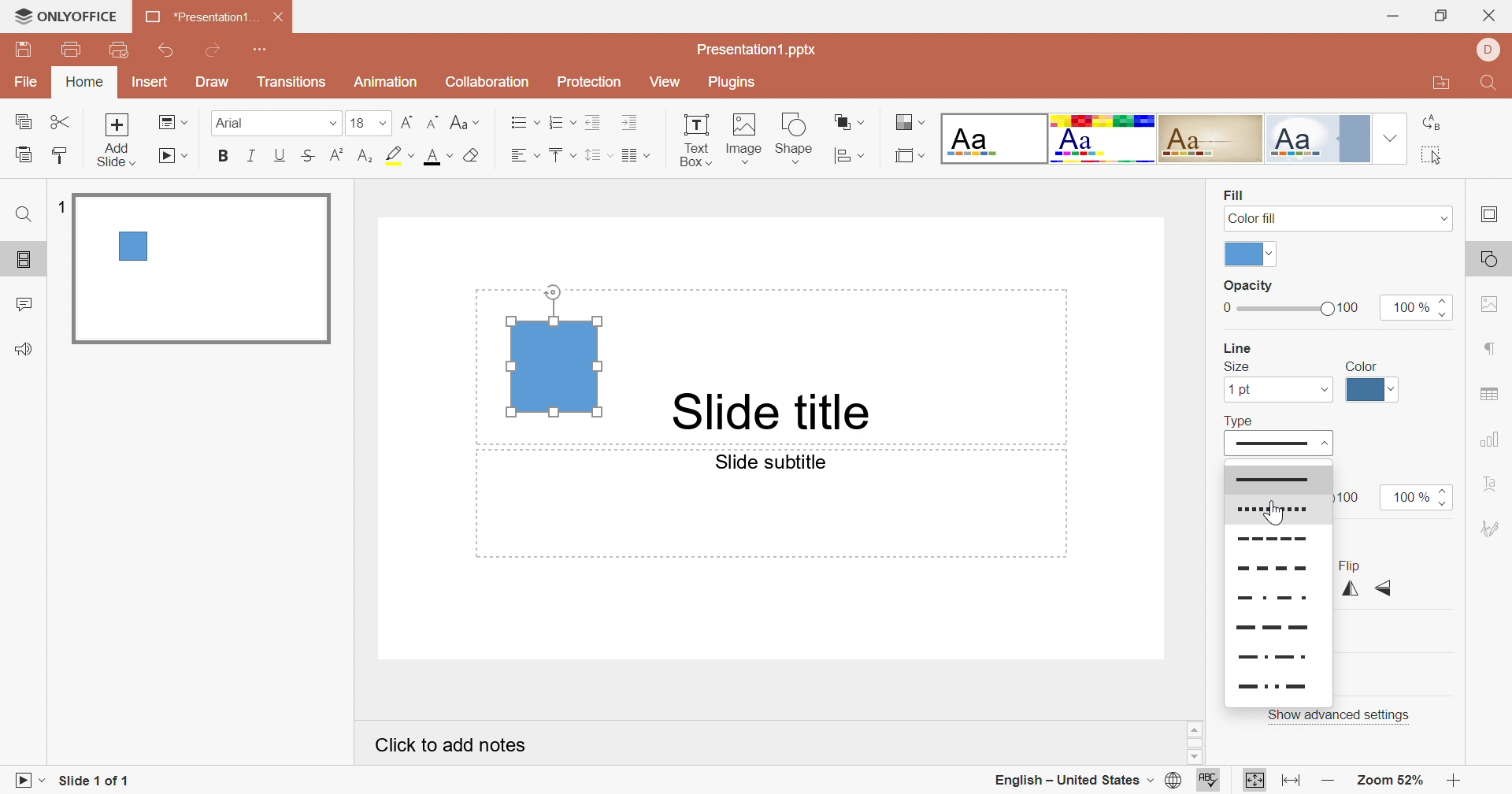 The image size is (1512, 794). I want to click on Text box, so click(551, 352).